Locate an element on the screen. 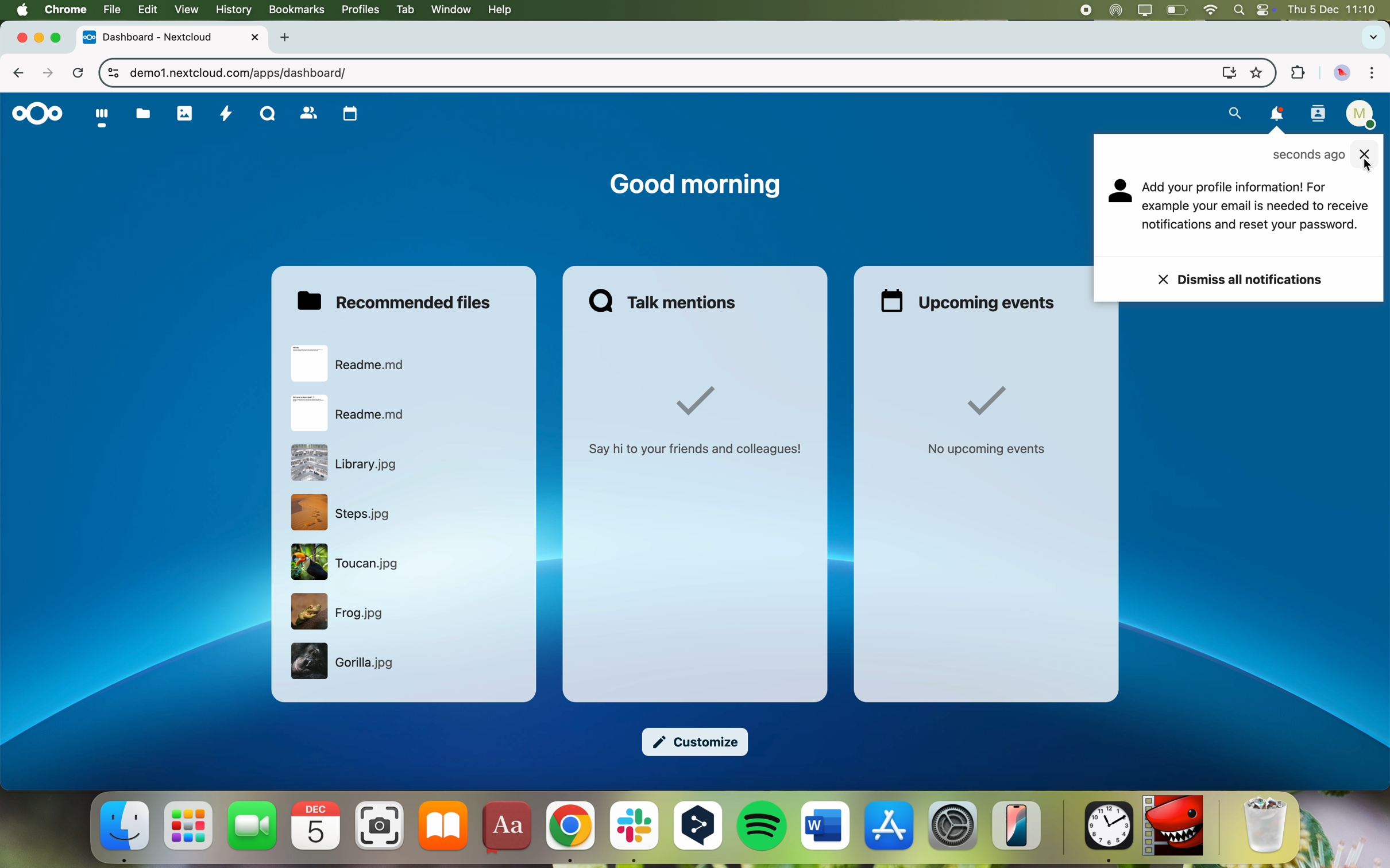 The height and width of the screenshot is (868, 1390). documents is located at coordinates (142, 114).